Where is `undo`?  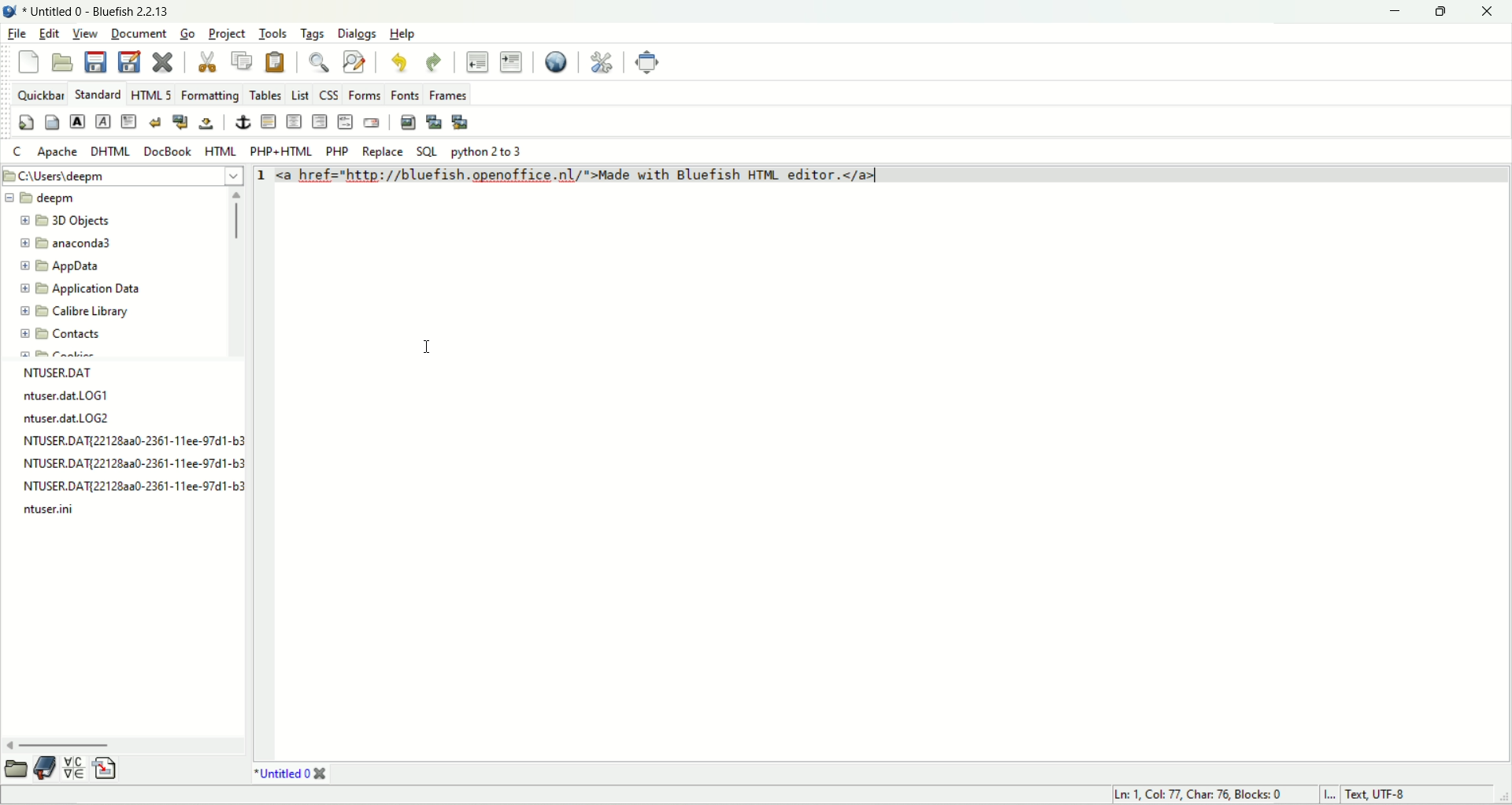
undo is located at coordinates (400, 63).